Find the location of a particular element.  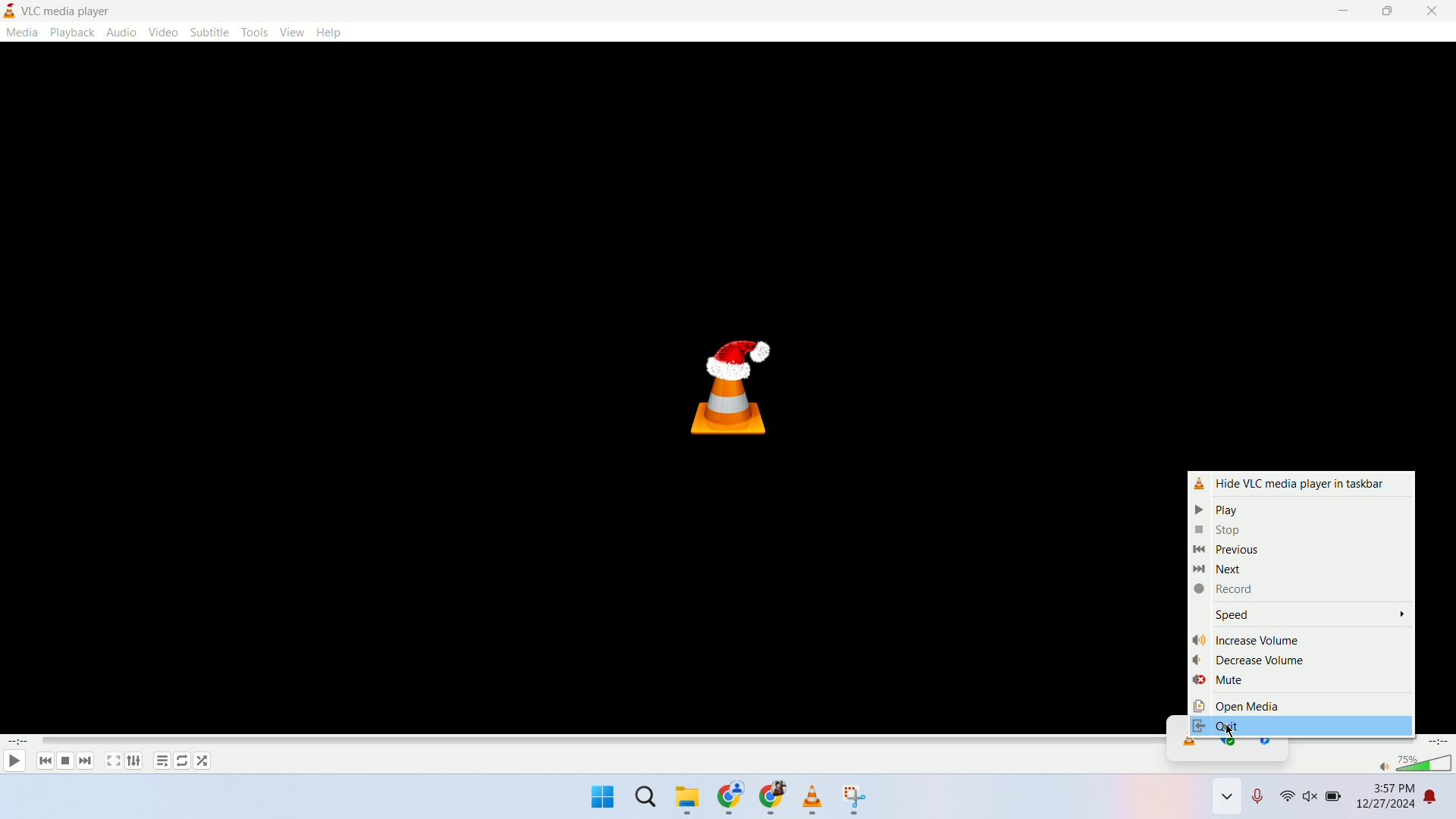

increase volume is located at coordinates (1300, 638).